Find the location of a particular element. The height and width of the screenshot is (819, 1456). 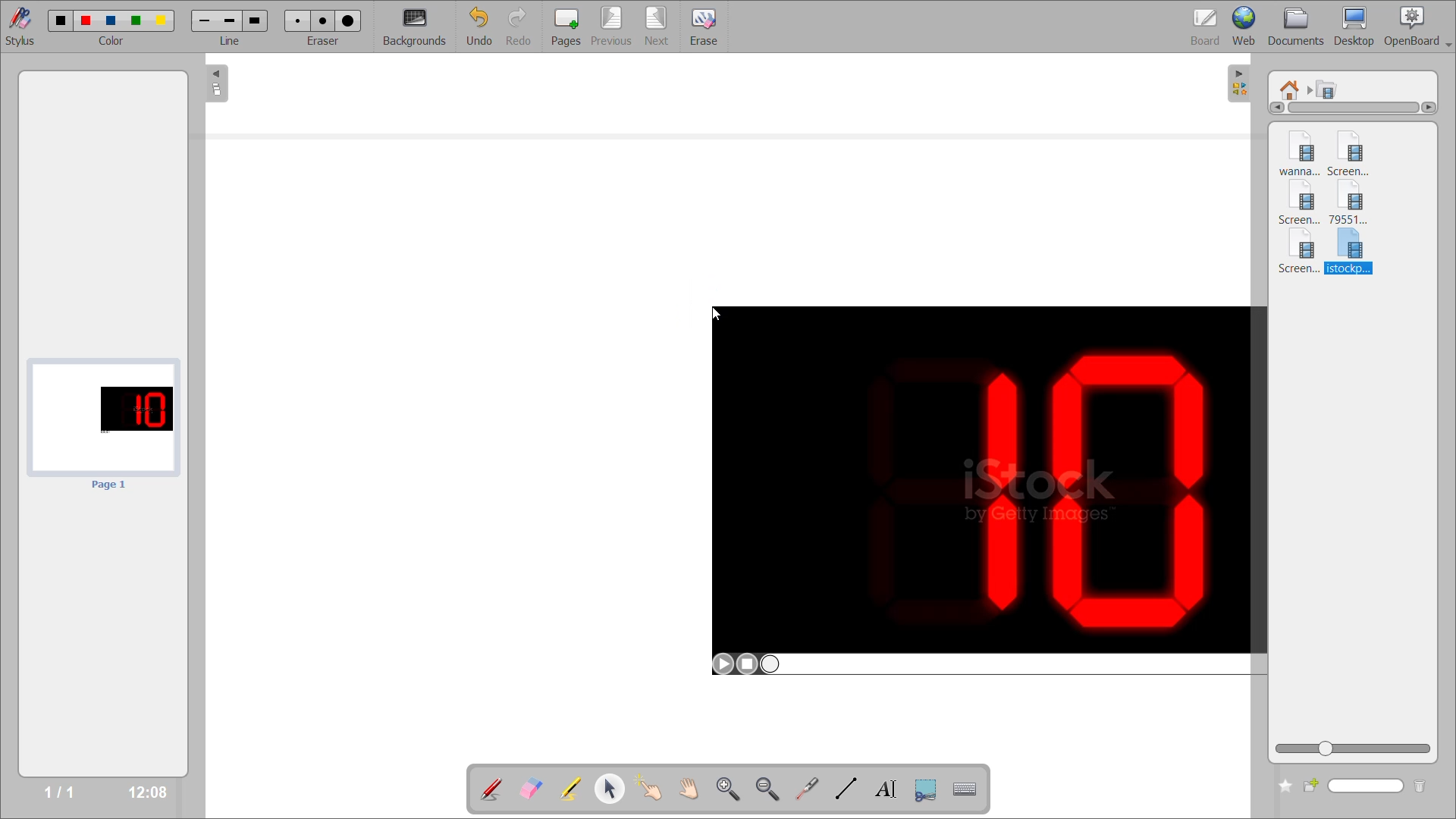

time stamp is located at coordinates (142, 790).